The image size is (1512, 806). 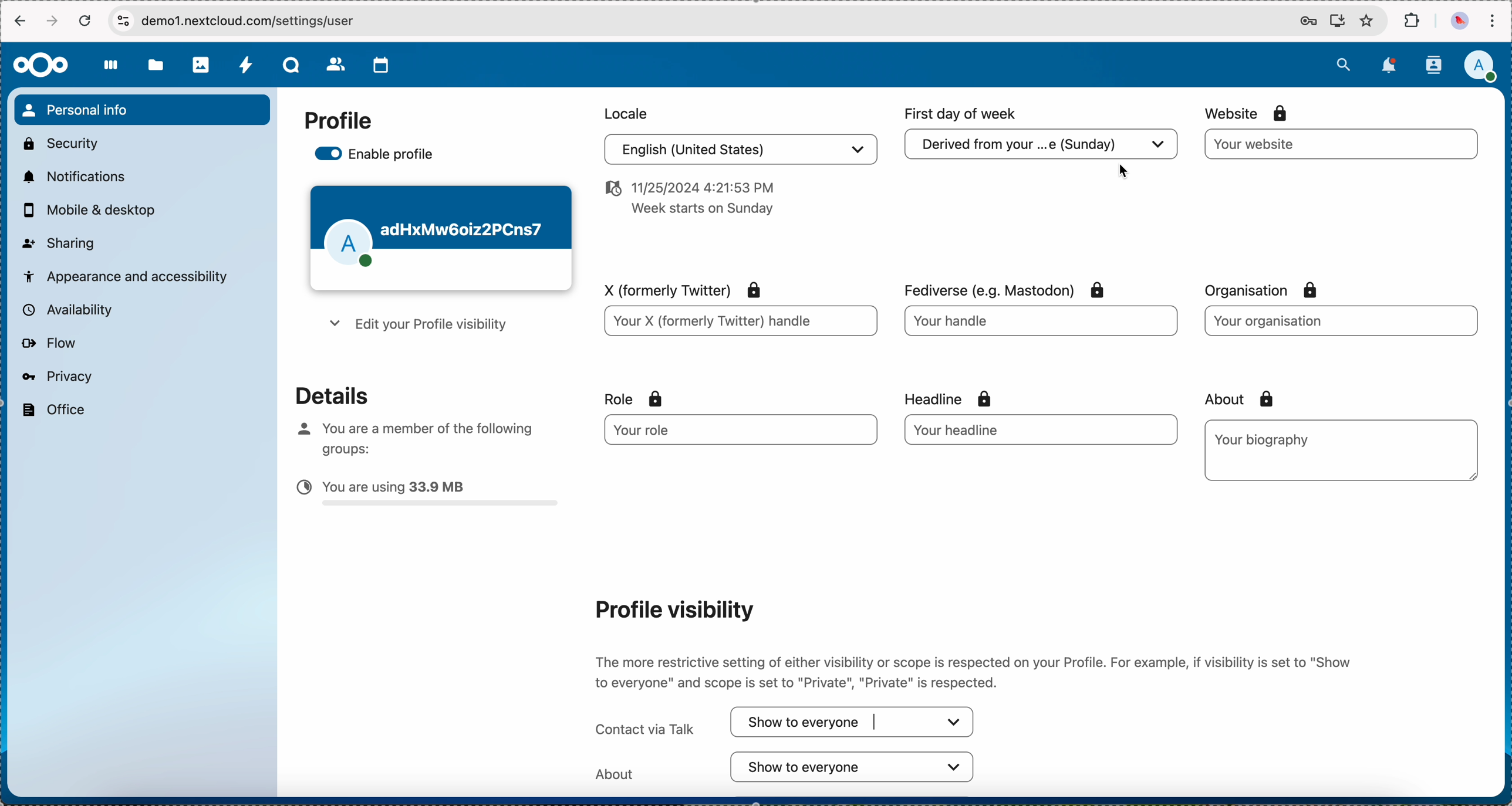 What do you see at coordinates (440, 239) in the screenshot?
I see `profile theme` at bounding box center [440, 239].